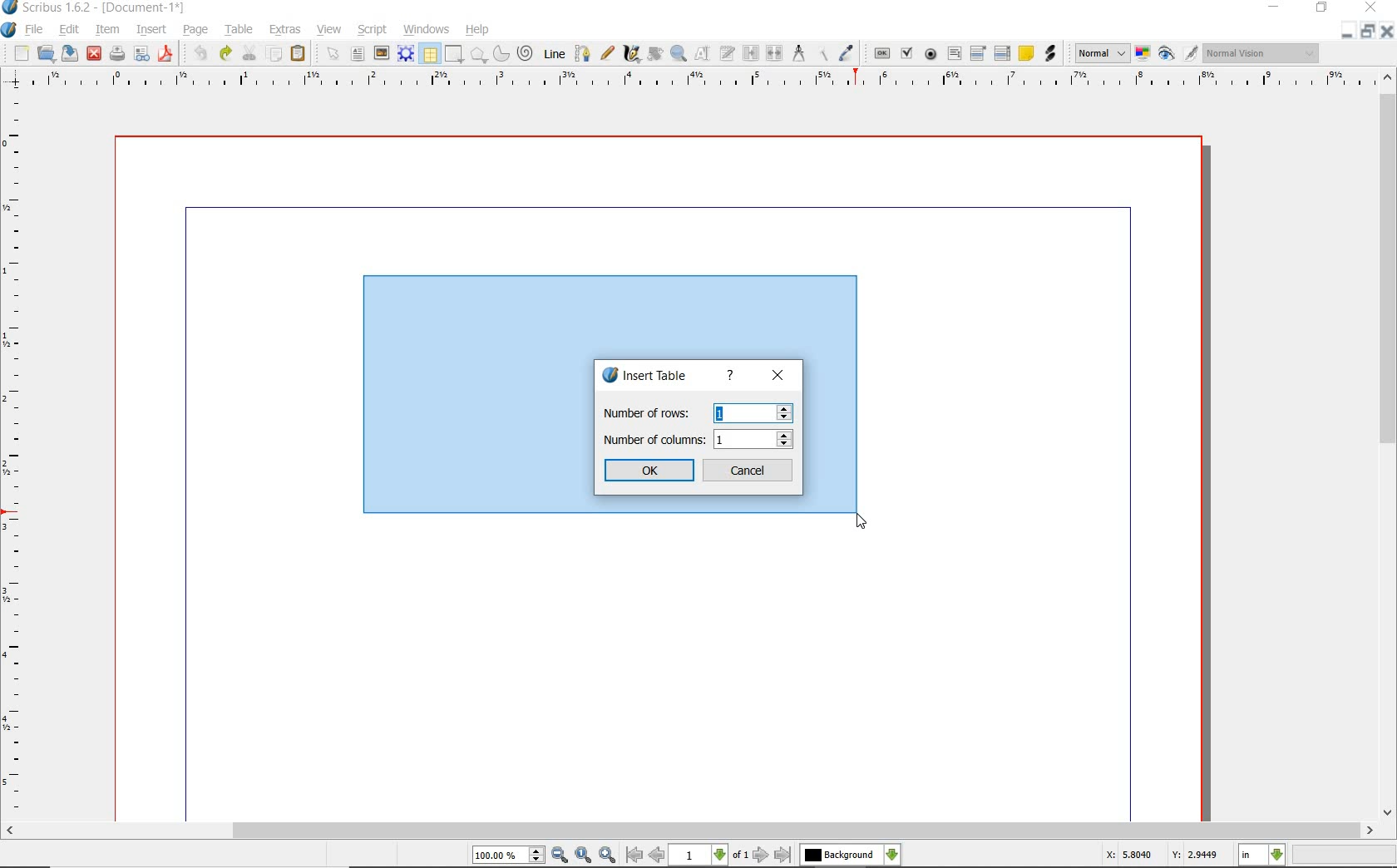 The height and width of the screenshot is (868, 1397). I want to click on undo, so click(200, 53).